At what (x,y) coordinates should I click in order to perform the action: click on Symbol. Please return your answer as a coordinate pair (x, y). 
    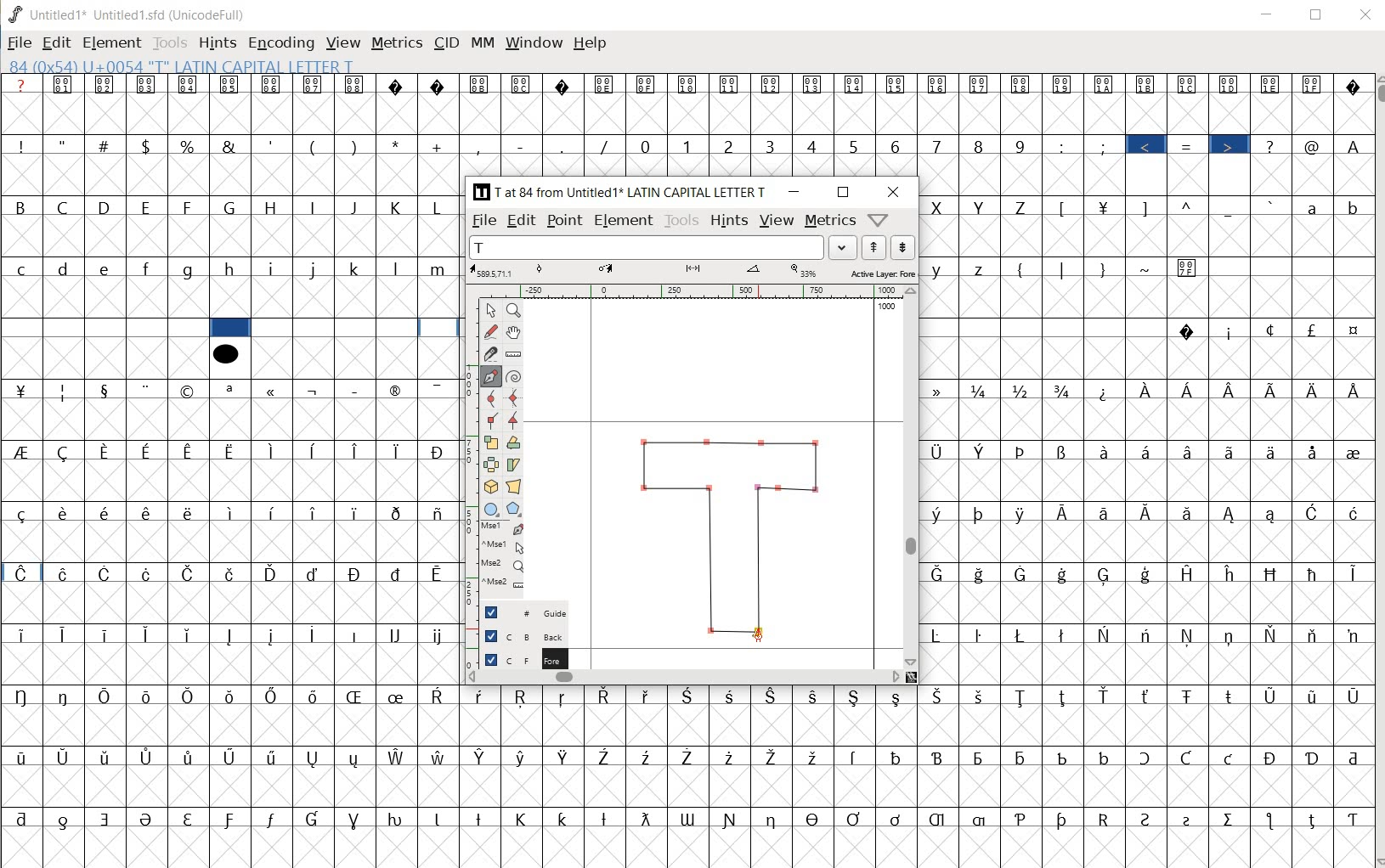
    Looking at the image, I should click on (315, 513).